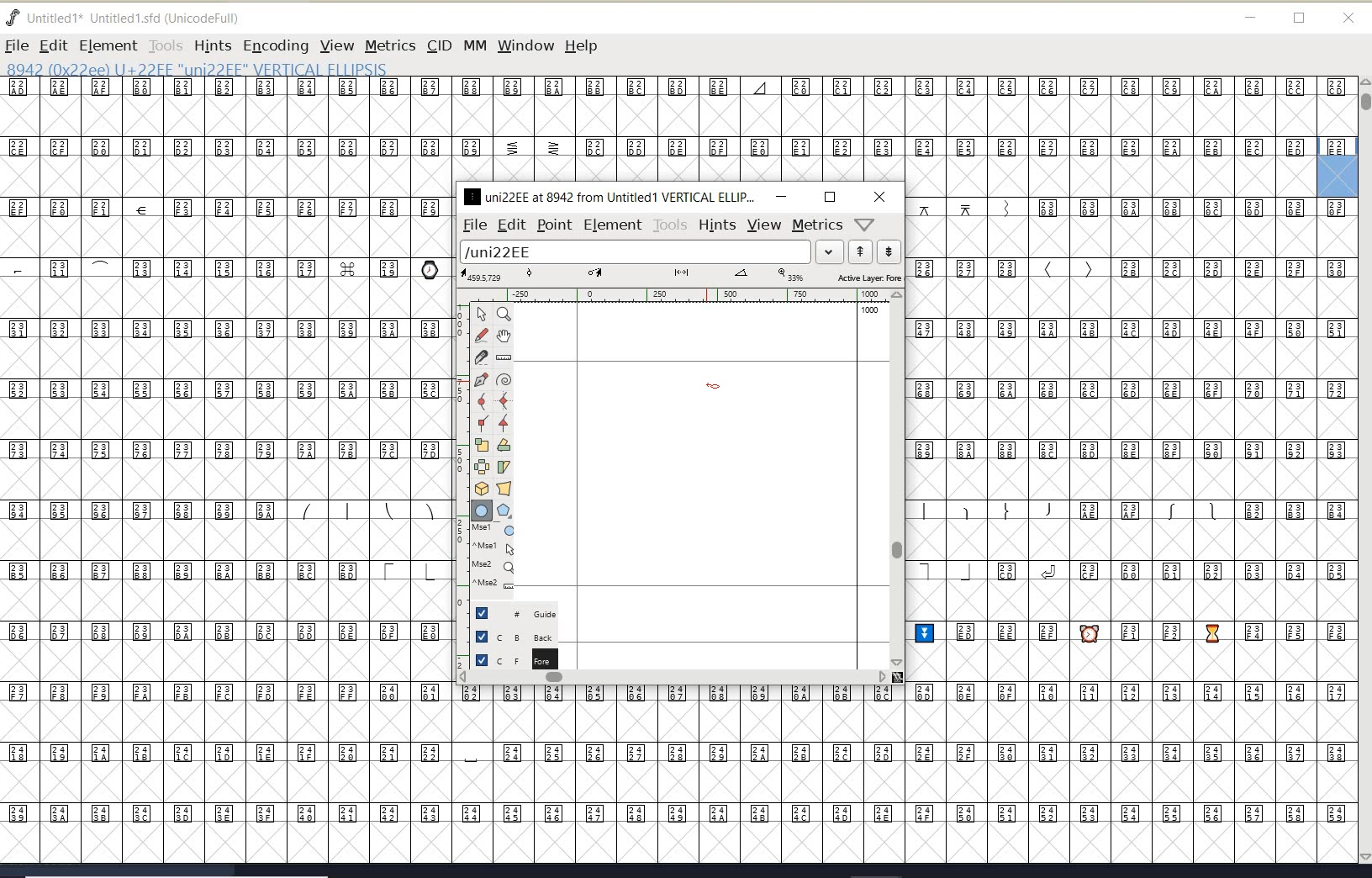 The height and width of the screenshot is (878, 1372). I want to click on HINTS, so click(212, 46).